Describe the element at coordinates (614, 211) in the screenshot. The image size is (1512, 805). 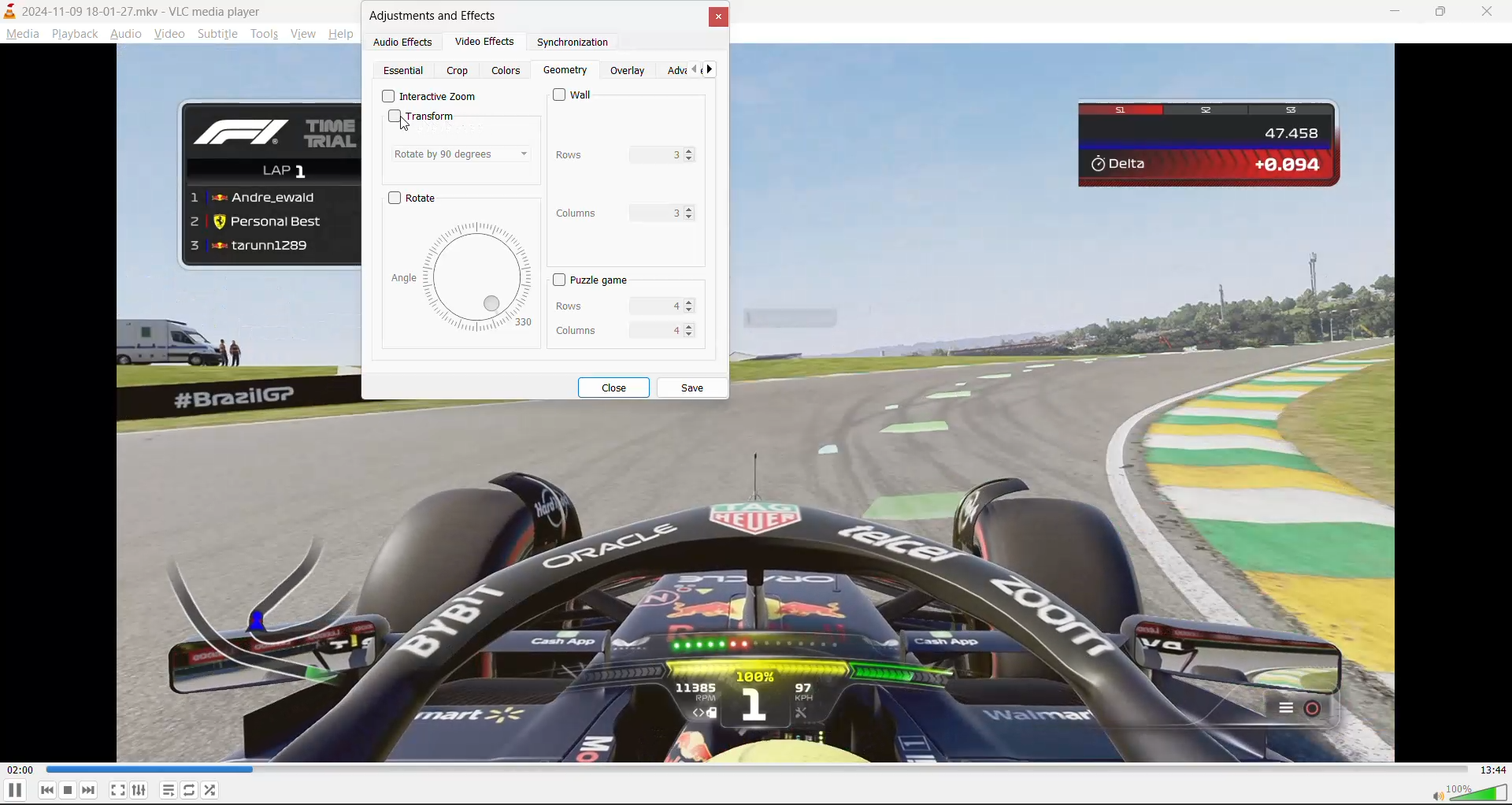
I see `columns` at that location.